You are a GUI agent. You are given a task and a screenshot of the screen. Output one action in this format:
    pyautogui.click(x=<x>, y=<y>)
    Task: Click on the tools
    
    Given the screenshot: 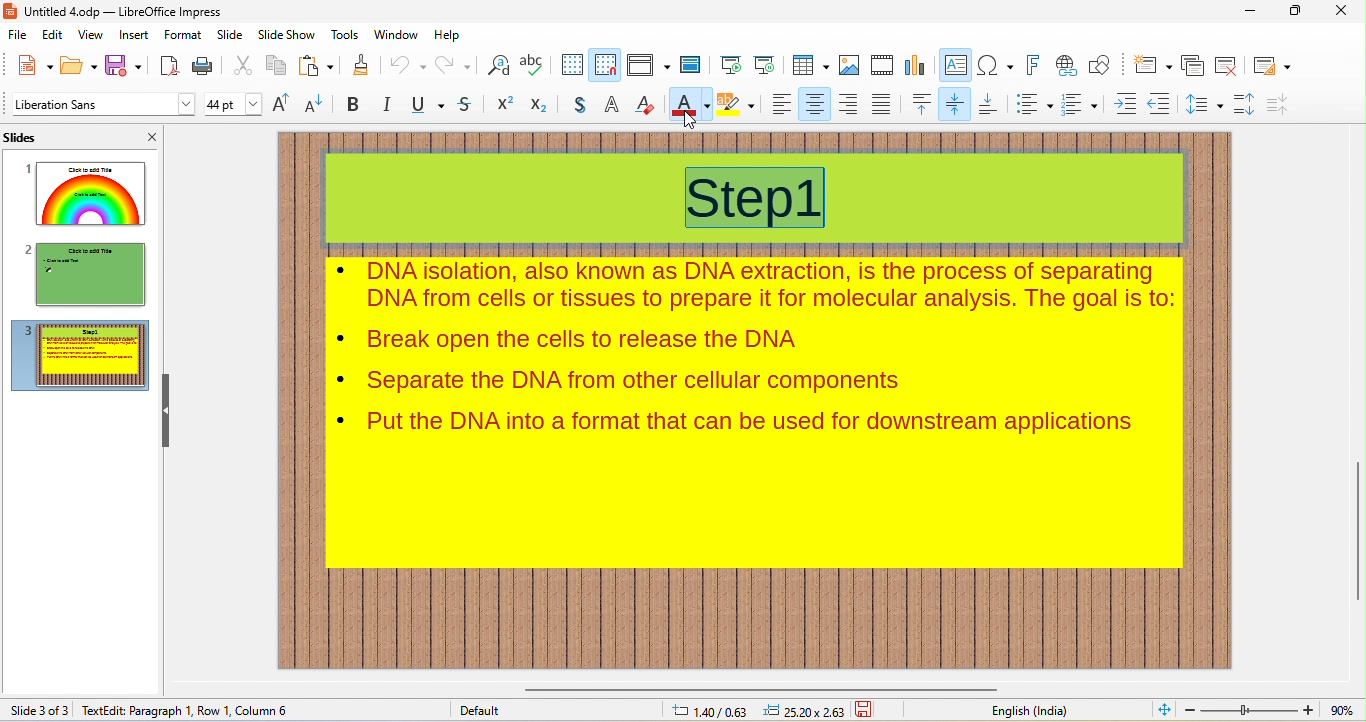 What is the action you would take?
    pyautogui.click(x=346, y=36)
    